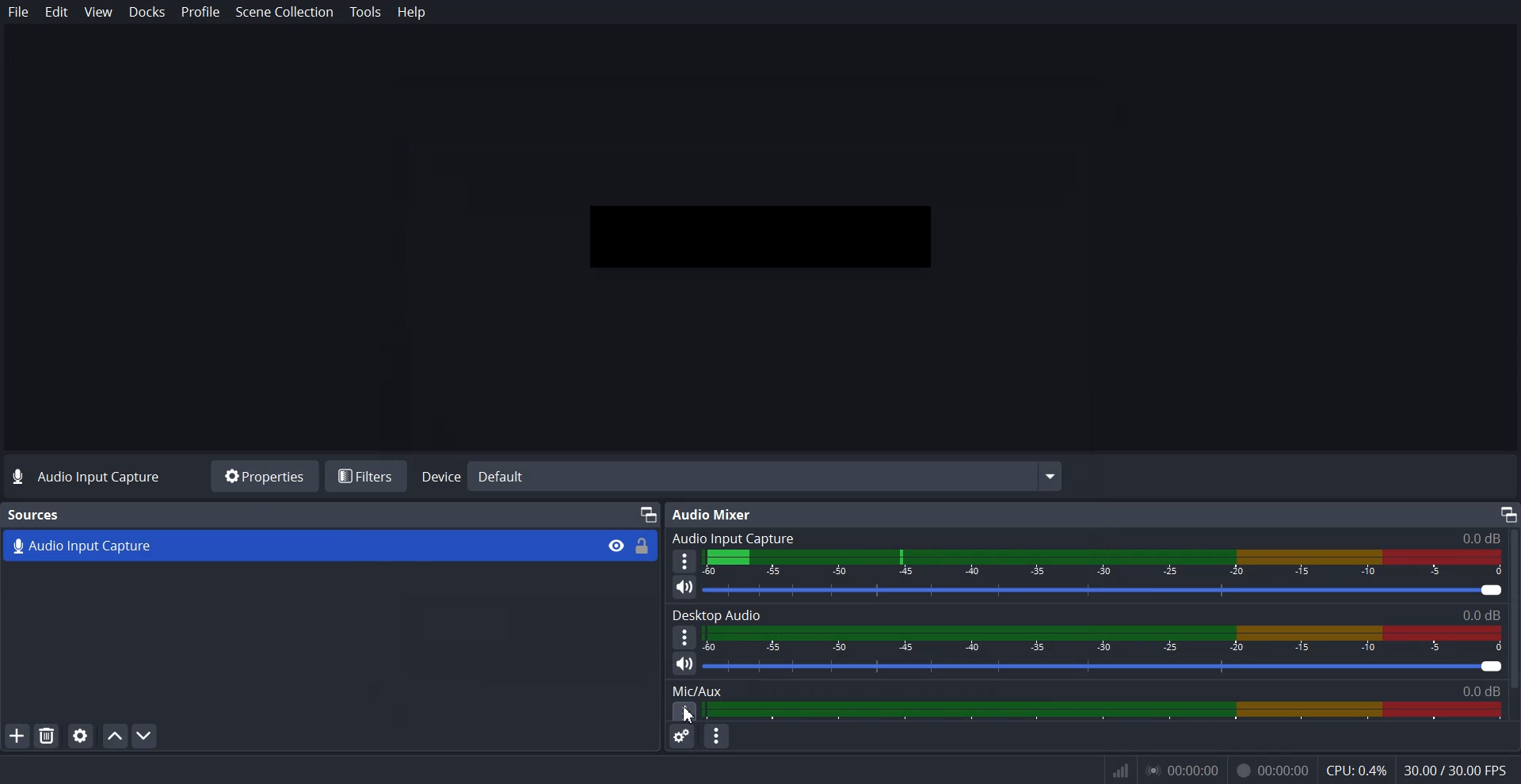  I want to click on Edit, so click(57, 12).